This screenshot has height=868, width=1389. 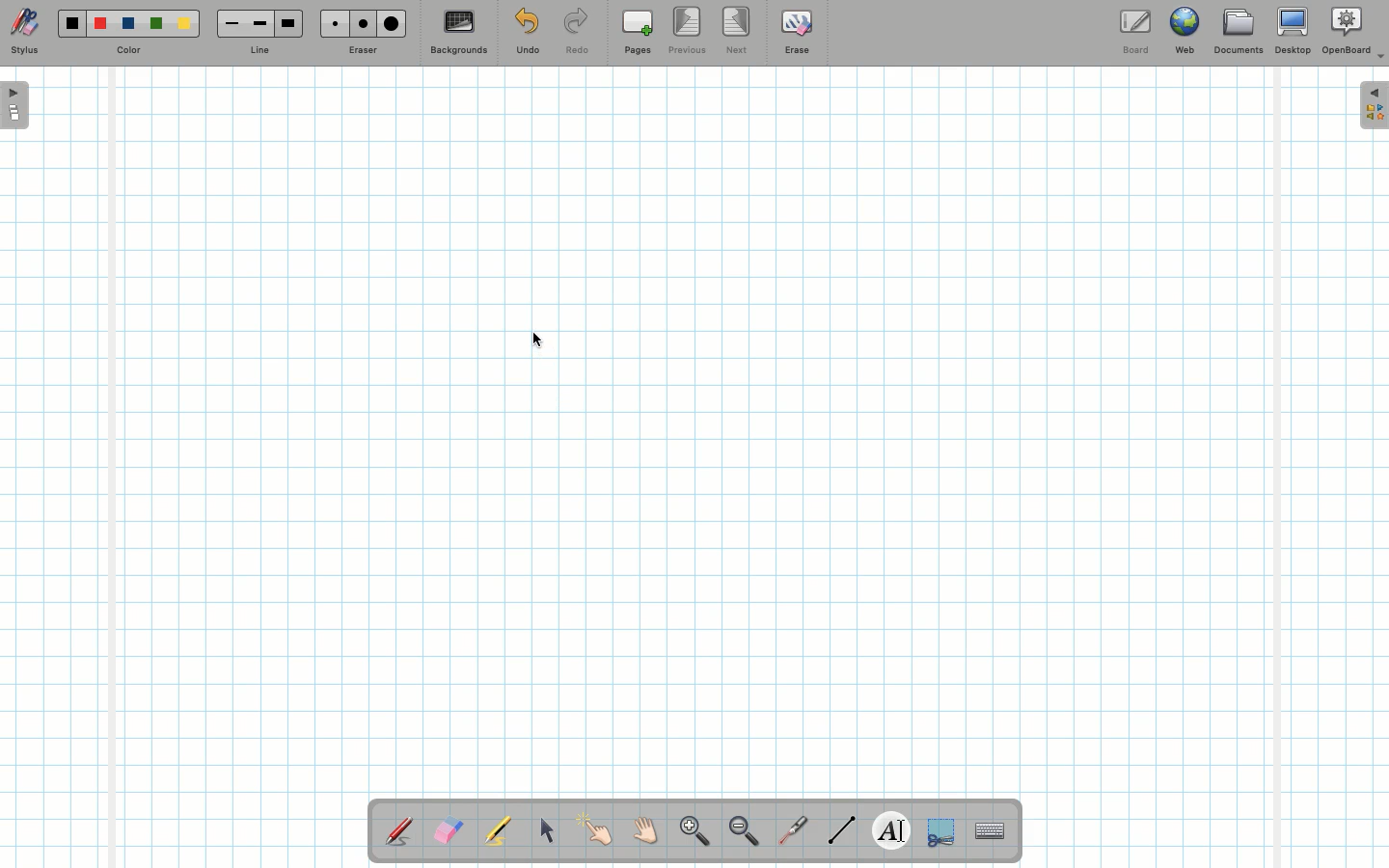 What do you see at coordinates (646, 833) in the screenshot?
I see `Grab` at bounding box center [646, 833].